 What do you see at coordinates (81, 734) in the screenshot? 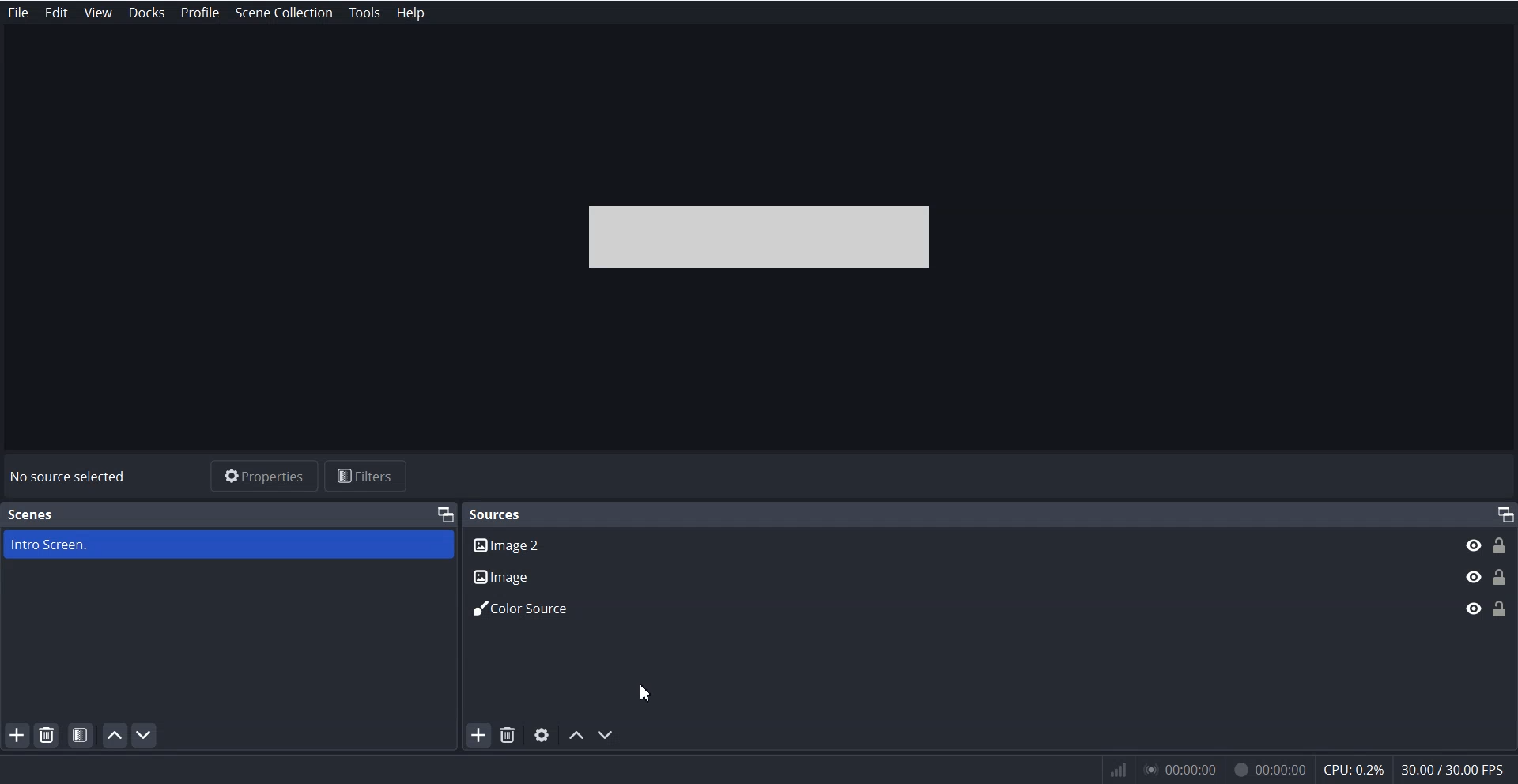
I see `Open scene Filters` at bounding box center [81, 734].